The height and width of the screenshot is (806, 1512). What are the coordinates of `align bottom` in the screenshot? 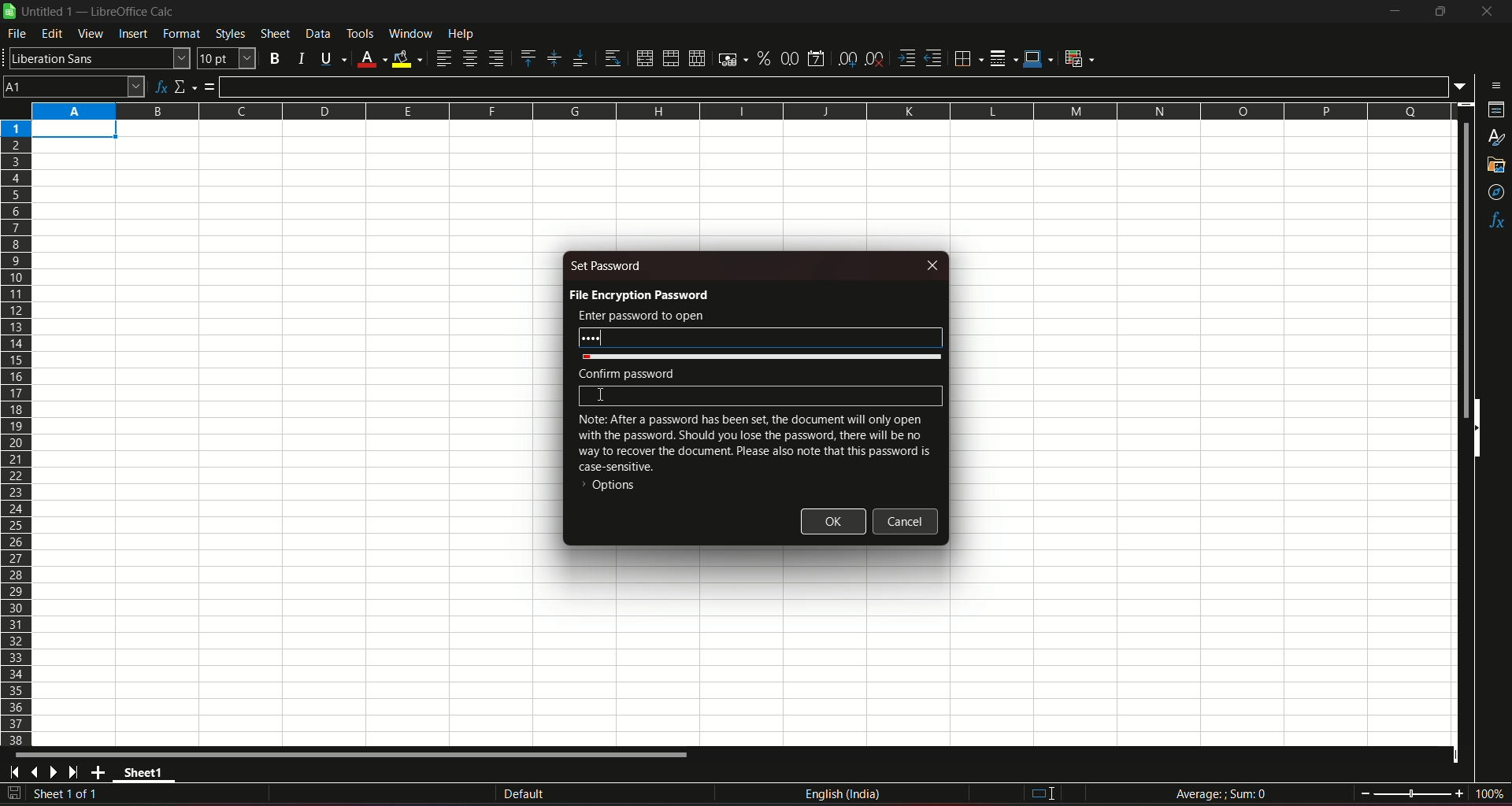 It's located at (576, 57).